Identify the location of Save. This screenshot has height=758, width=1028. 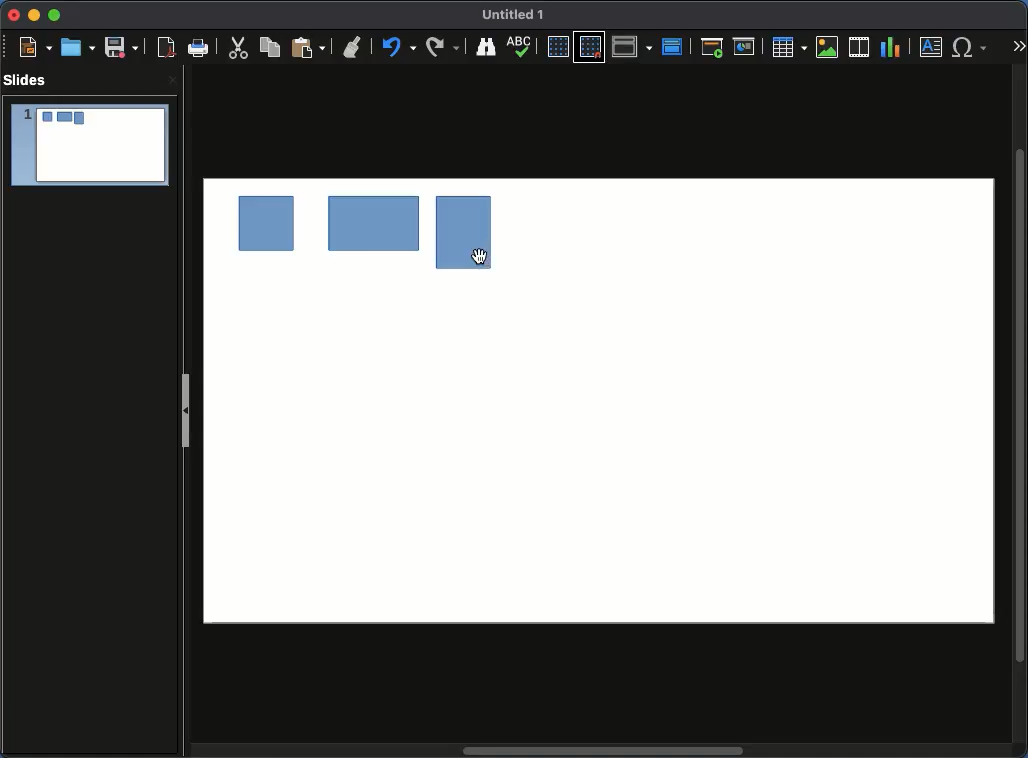
(121, 48).